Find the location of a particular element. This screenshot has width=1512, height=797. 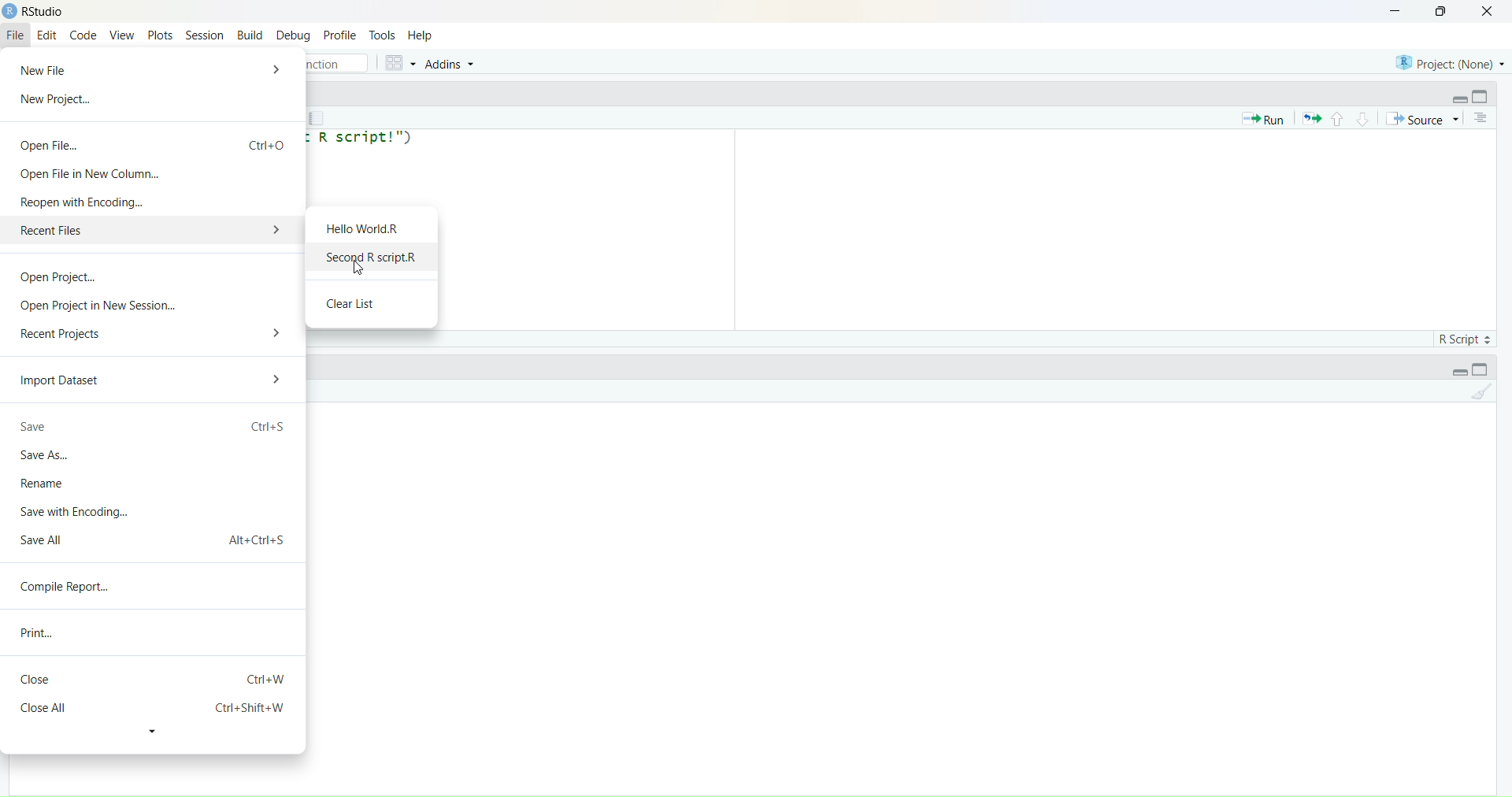

Edit is located at coordinates (47, 36).